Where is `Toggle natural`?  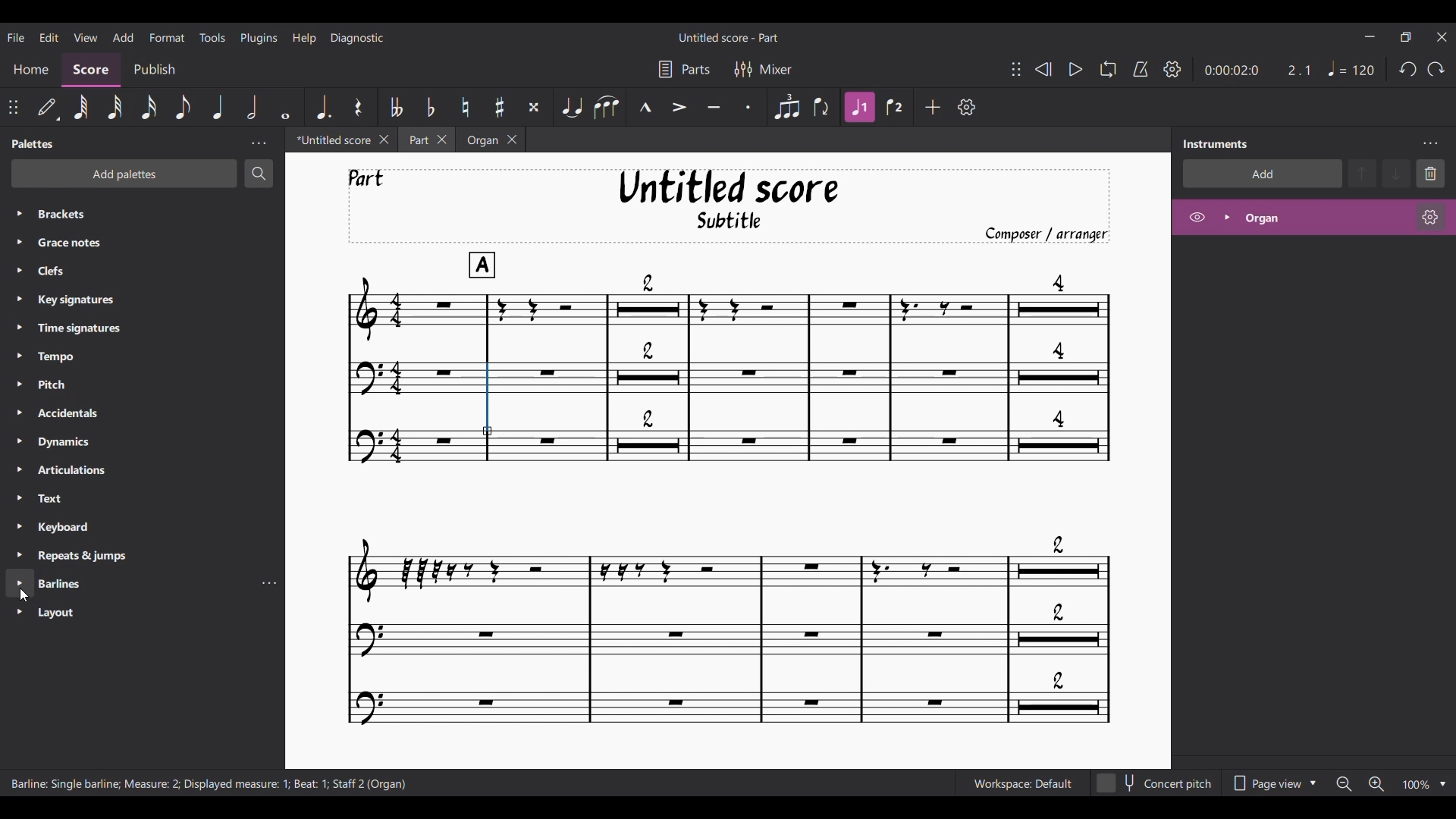
Toggle natural is located at coordinates (466, 106).